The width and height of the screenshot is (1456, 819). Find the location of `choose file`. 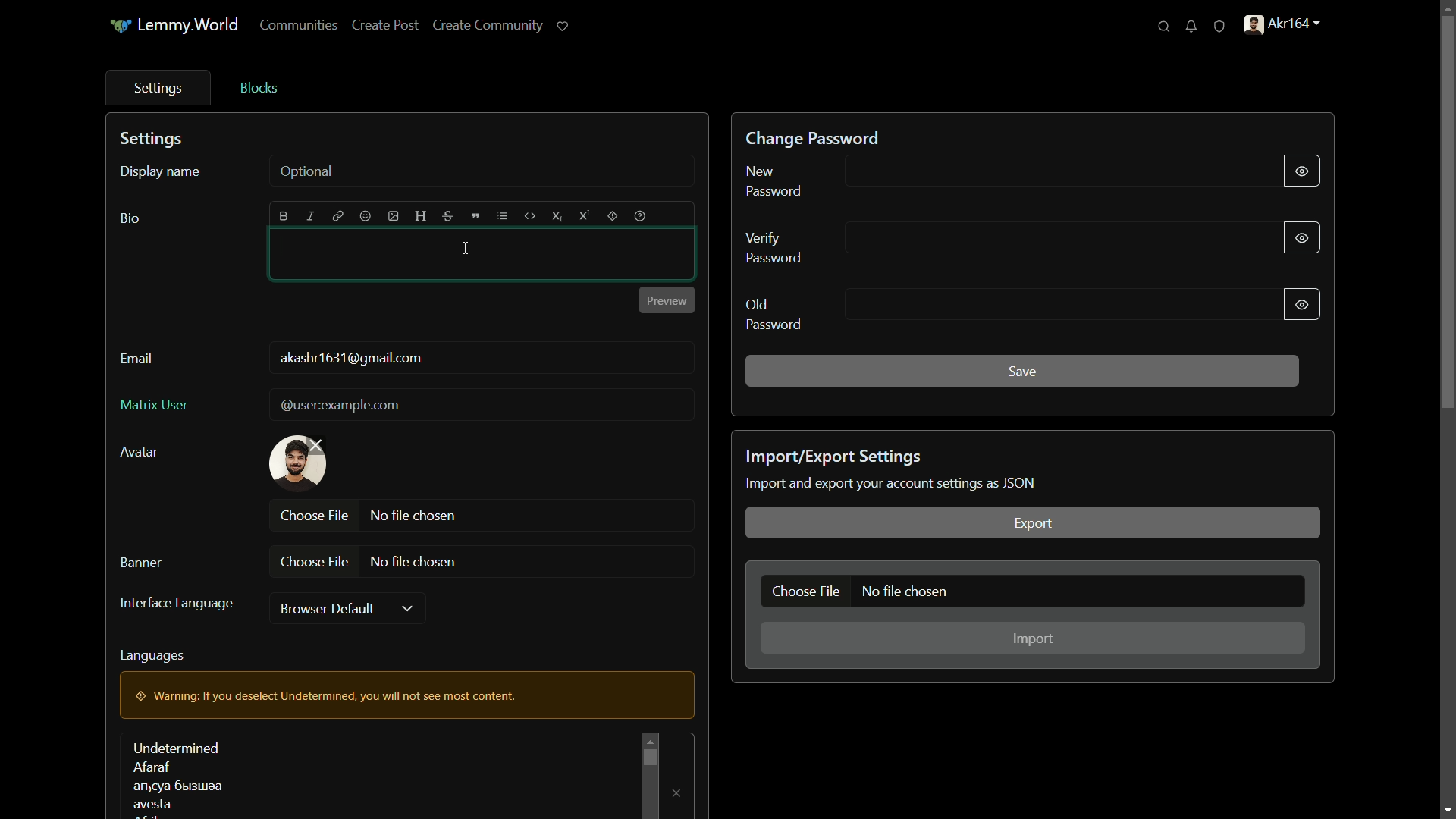

choose file is located at coordinates (804, 591).